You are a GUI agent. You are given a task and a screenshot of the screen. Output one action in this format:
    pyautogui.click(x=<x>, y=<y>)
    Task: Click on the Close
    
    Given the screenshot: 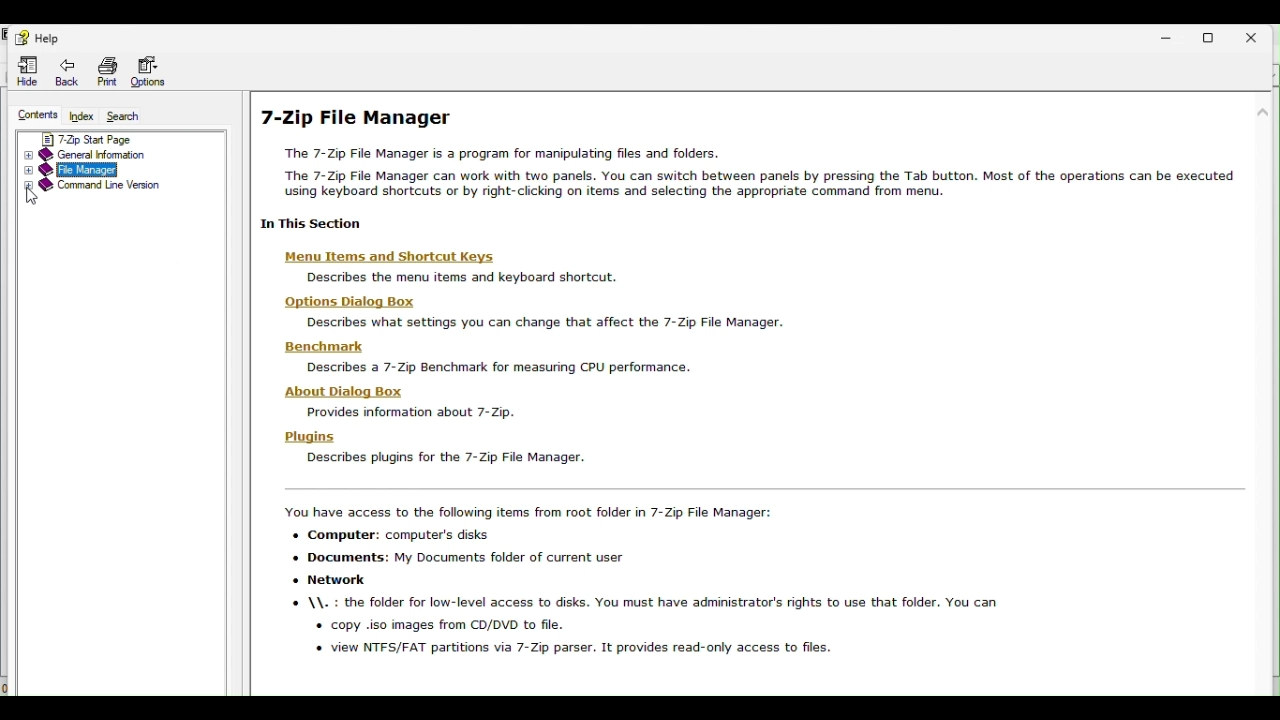 What is the action you would take?
    pyautogui.click(x=1260, y=37)
    